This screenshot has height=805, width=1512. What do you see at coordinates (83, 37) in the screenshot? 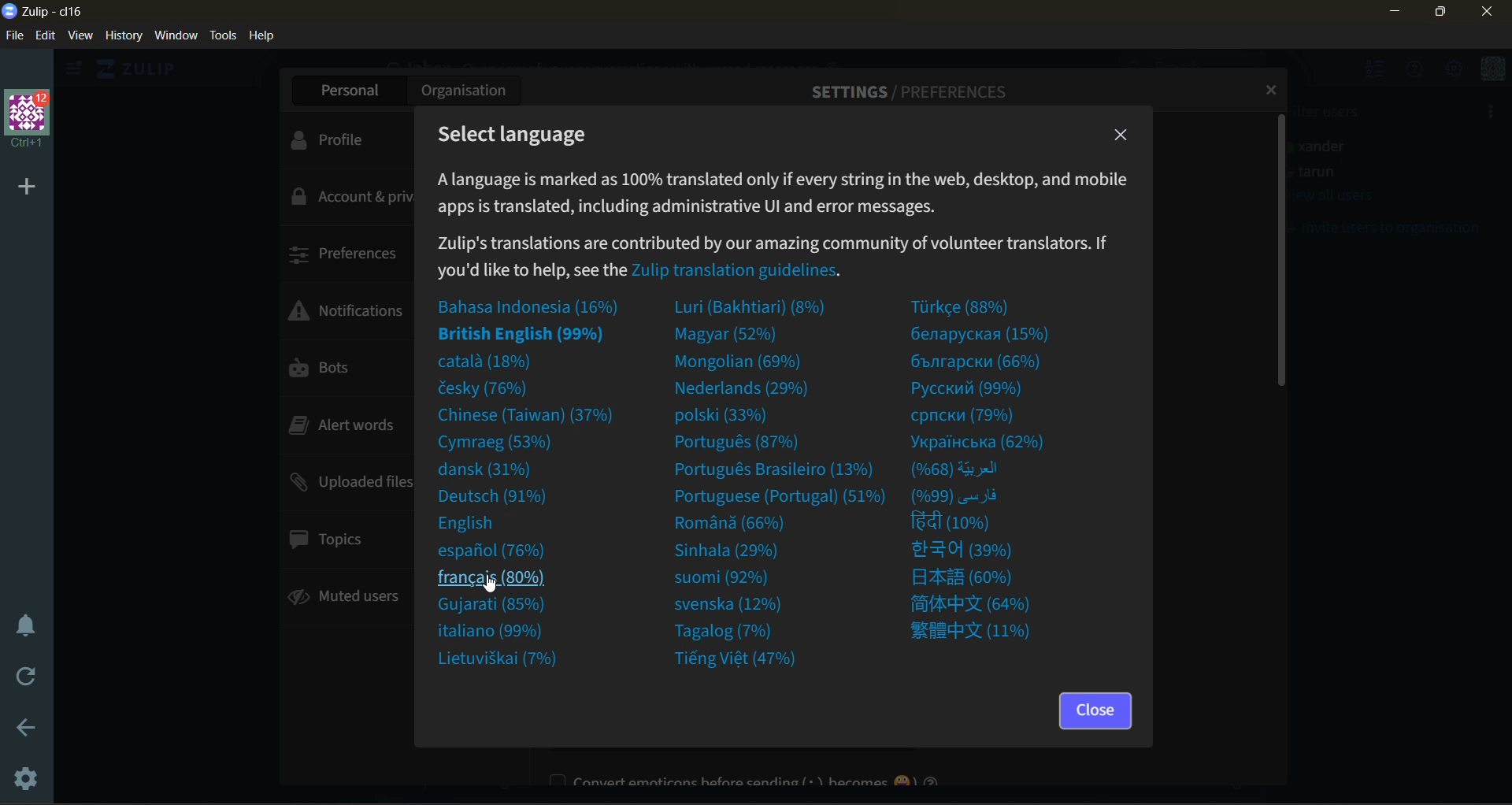
I see `view` at bounding box center [83, 37].